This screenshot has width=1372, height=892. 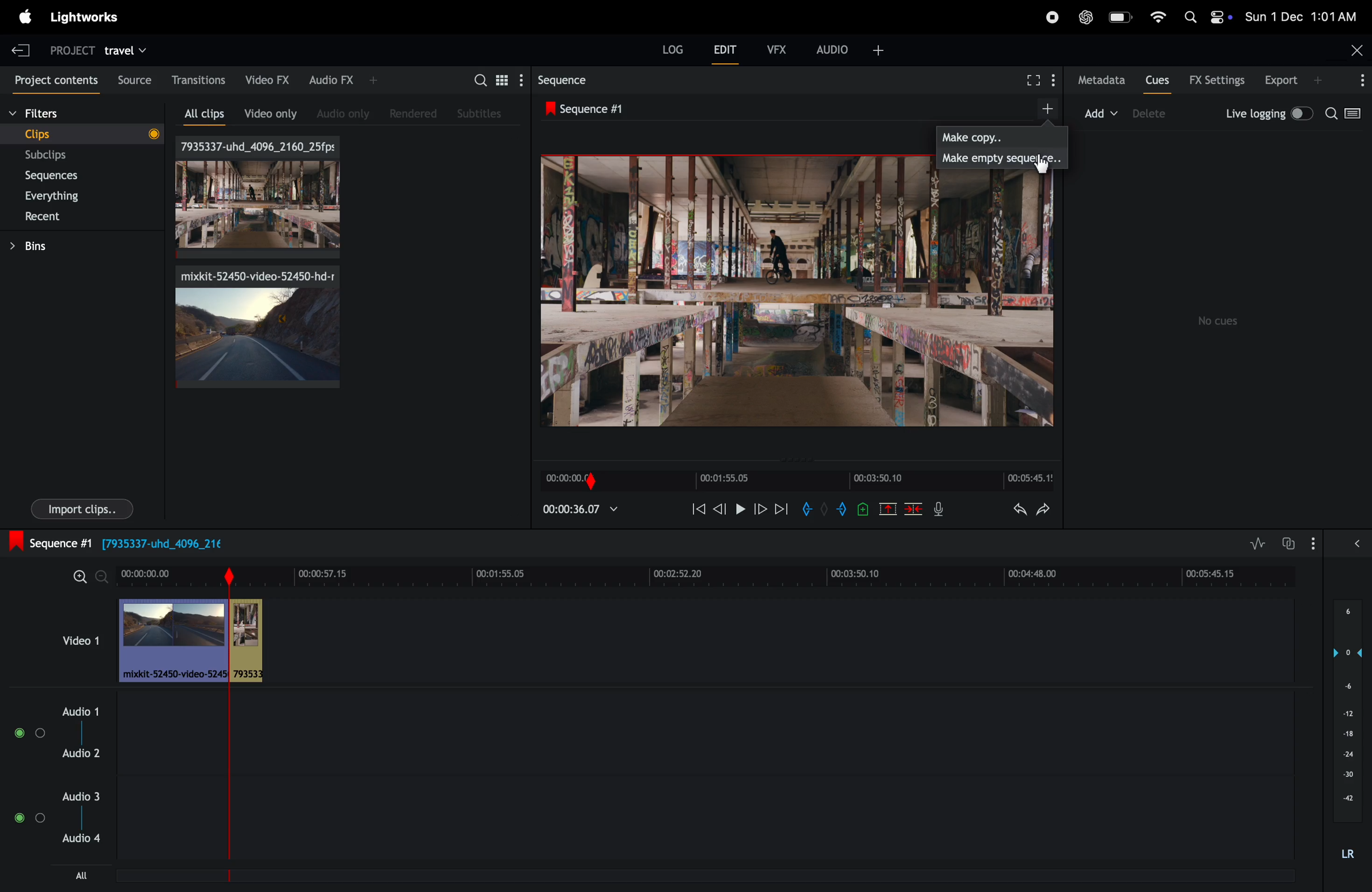 I want to click on project contents, so click(x=54, y=81).